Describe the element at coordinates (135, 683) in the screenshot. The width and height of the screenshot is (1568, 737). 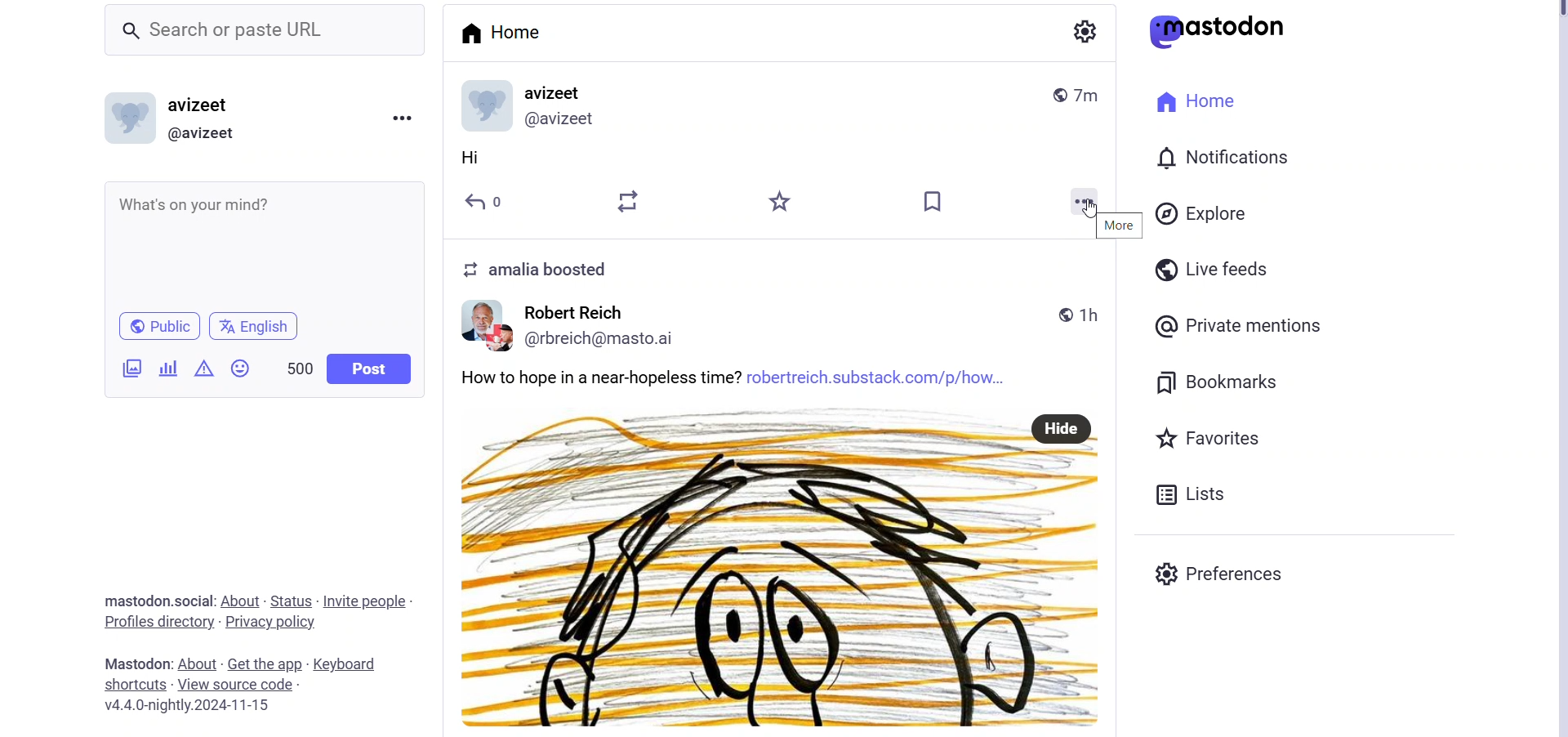
I see `Shortcuts` at that location.